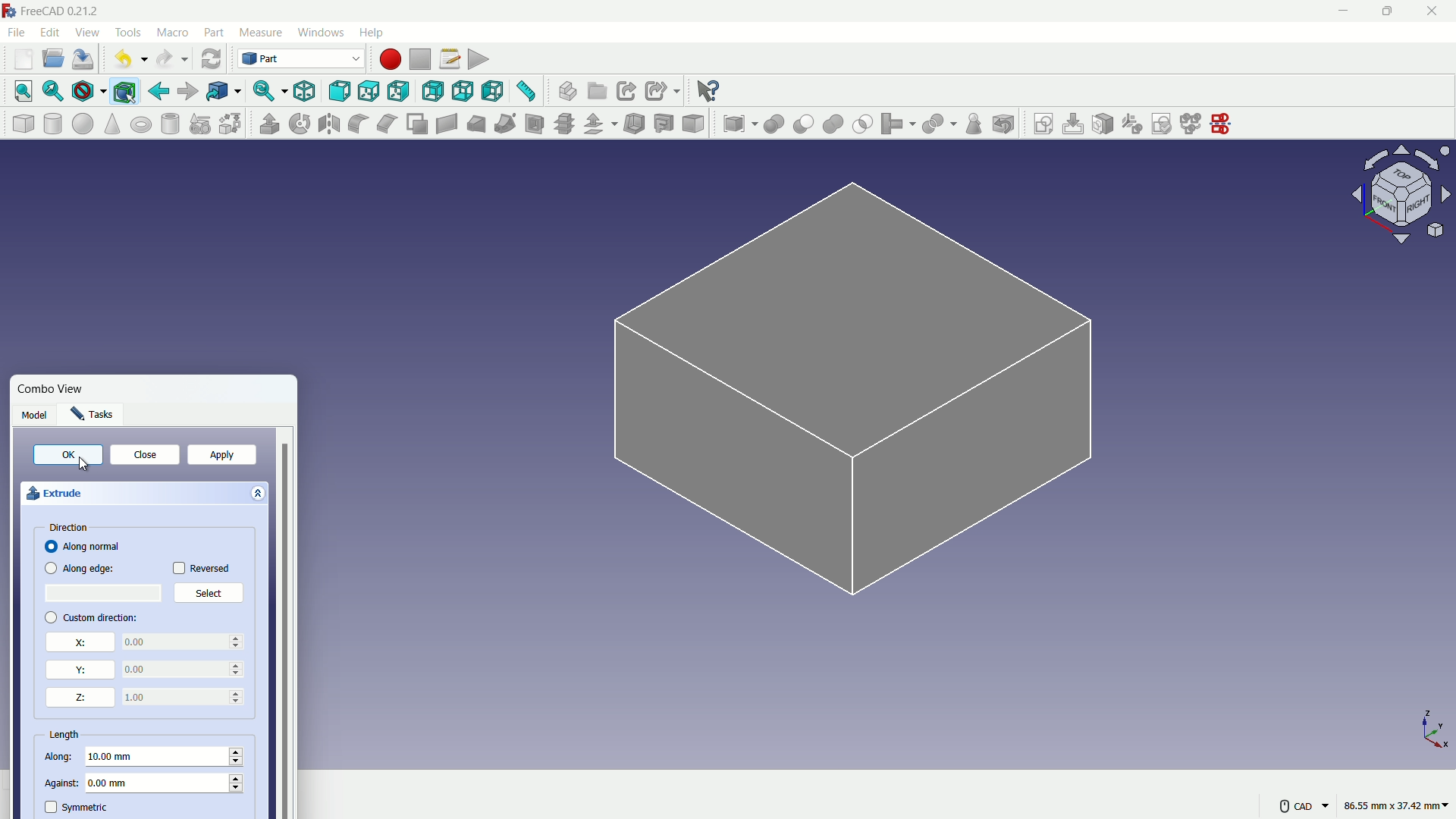 Image resolution: width=1456 pixels, height=819 pixels. I want to click on mirror sketch, so click(1226, 123).